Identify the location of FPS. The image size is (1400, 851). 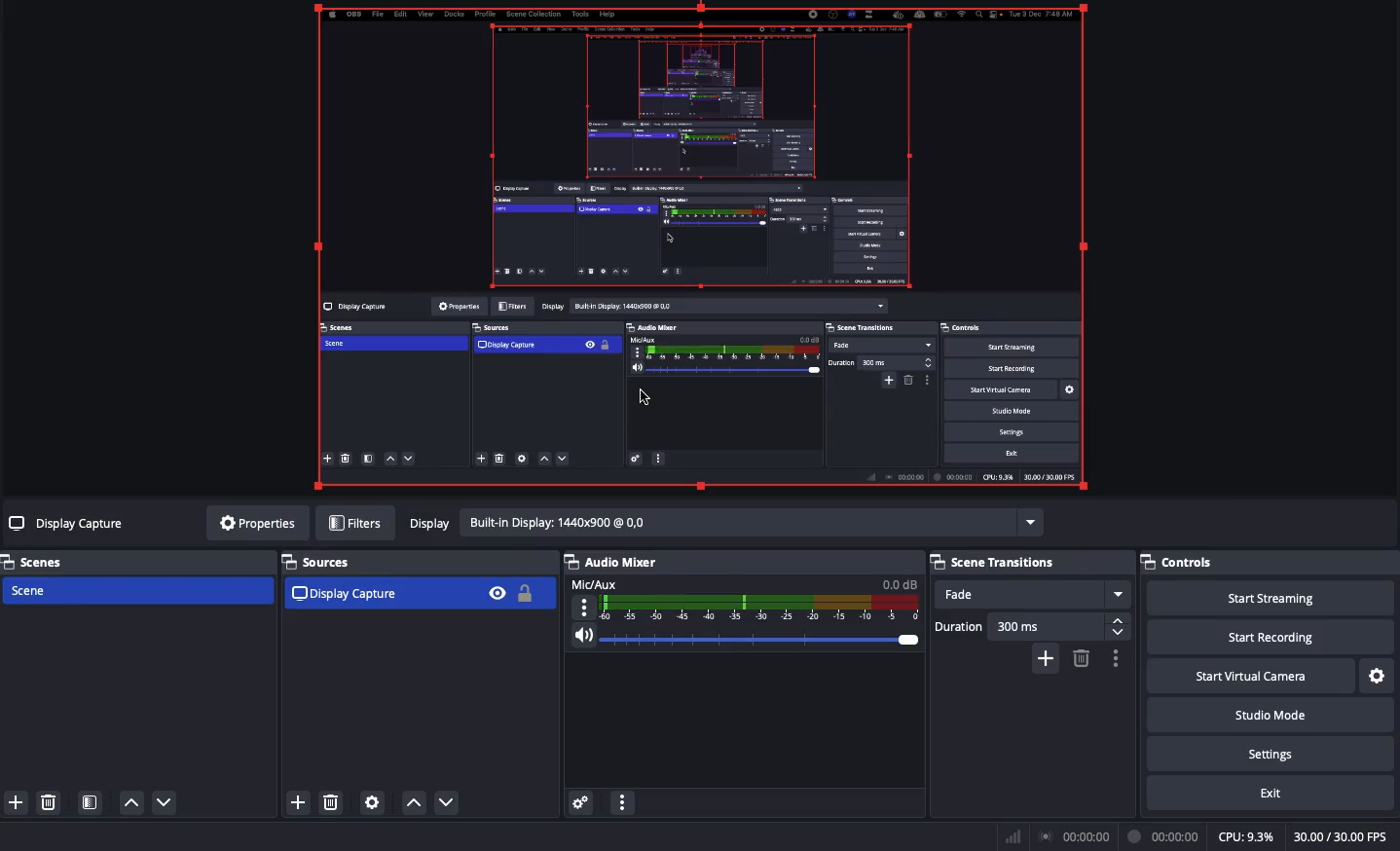
(1344, 837).